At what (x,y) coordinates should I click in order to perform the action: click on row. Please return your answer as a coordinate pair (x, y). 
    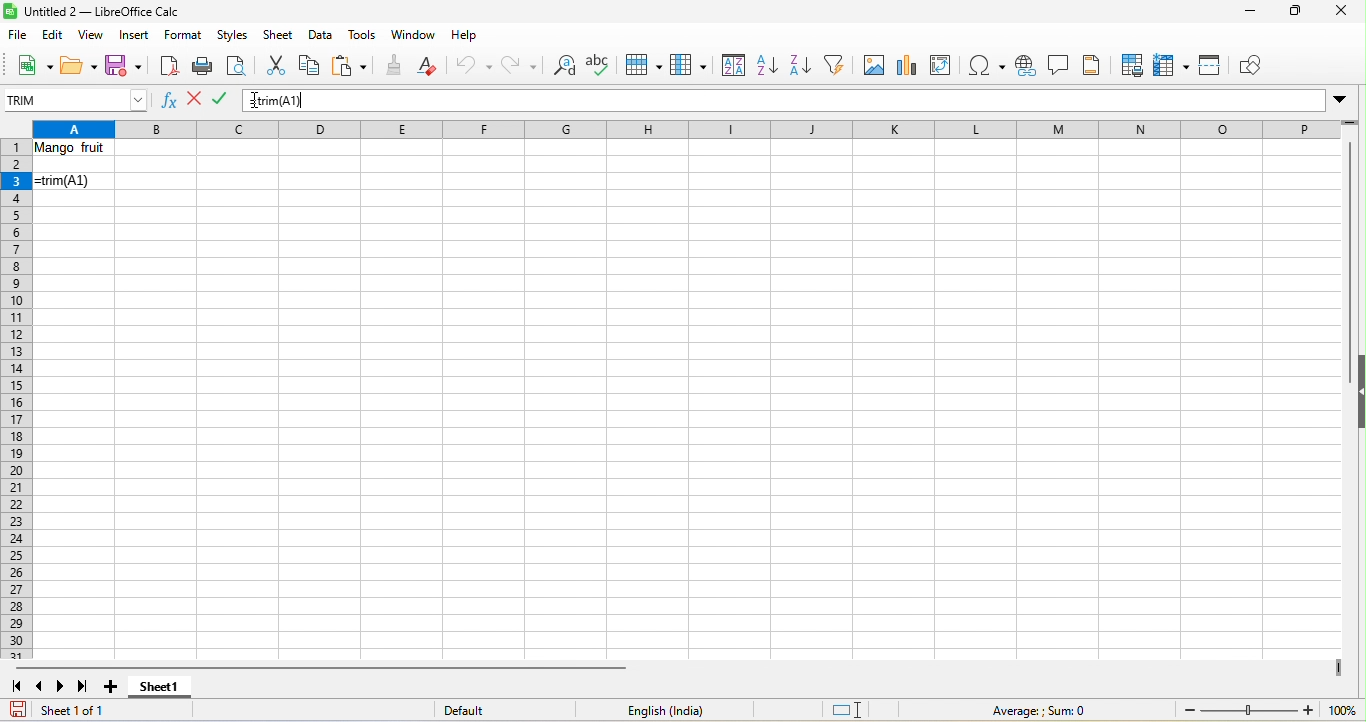
    Looking at the image, I should click on (642, 67).